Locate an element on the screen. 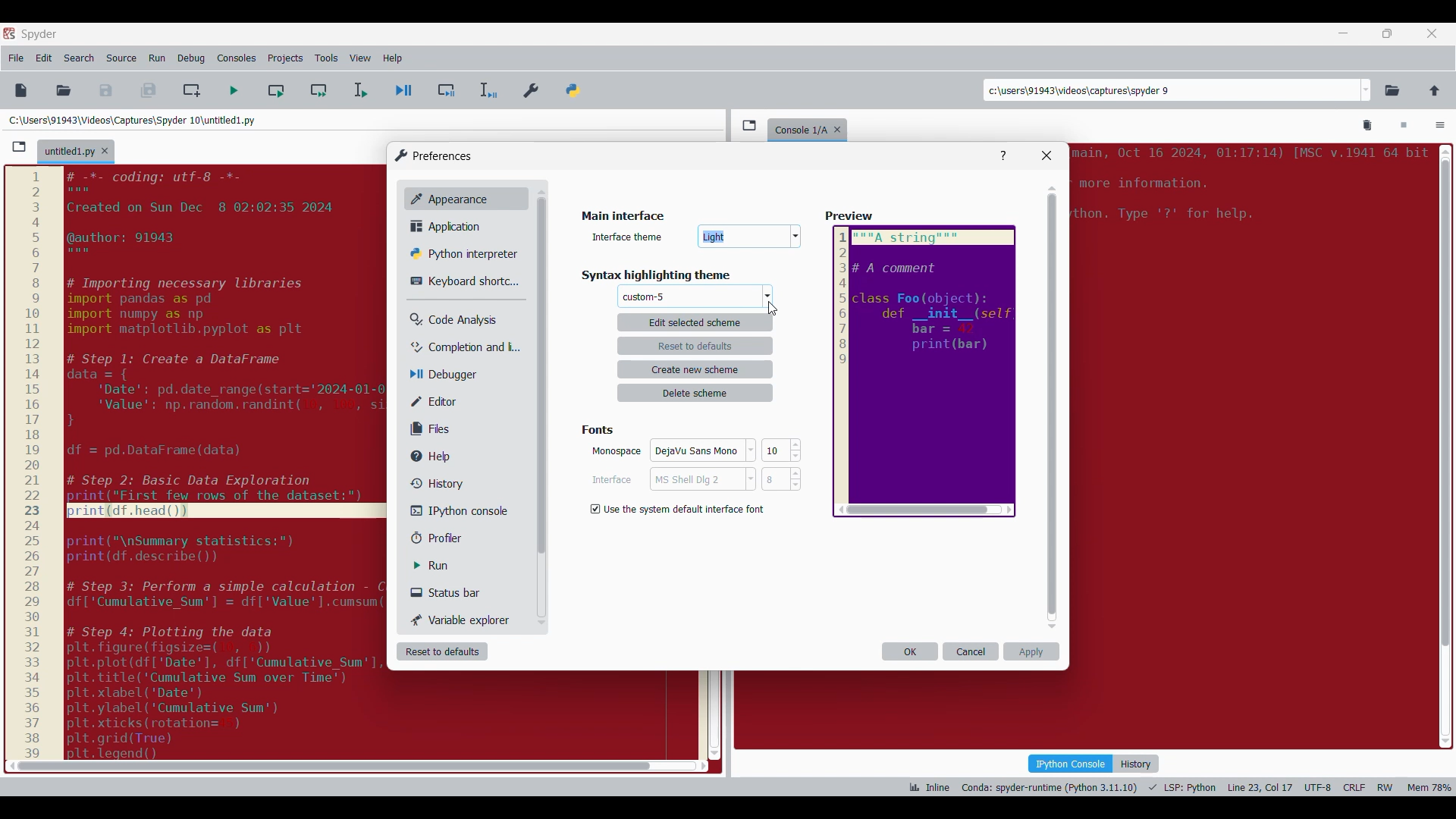 The height and width of the screenshot is (819, 1456). Browse tabs is located at coordinates (749, 125).